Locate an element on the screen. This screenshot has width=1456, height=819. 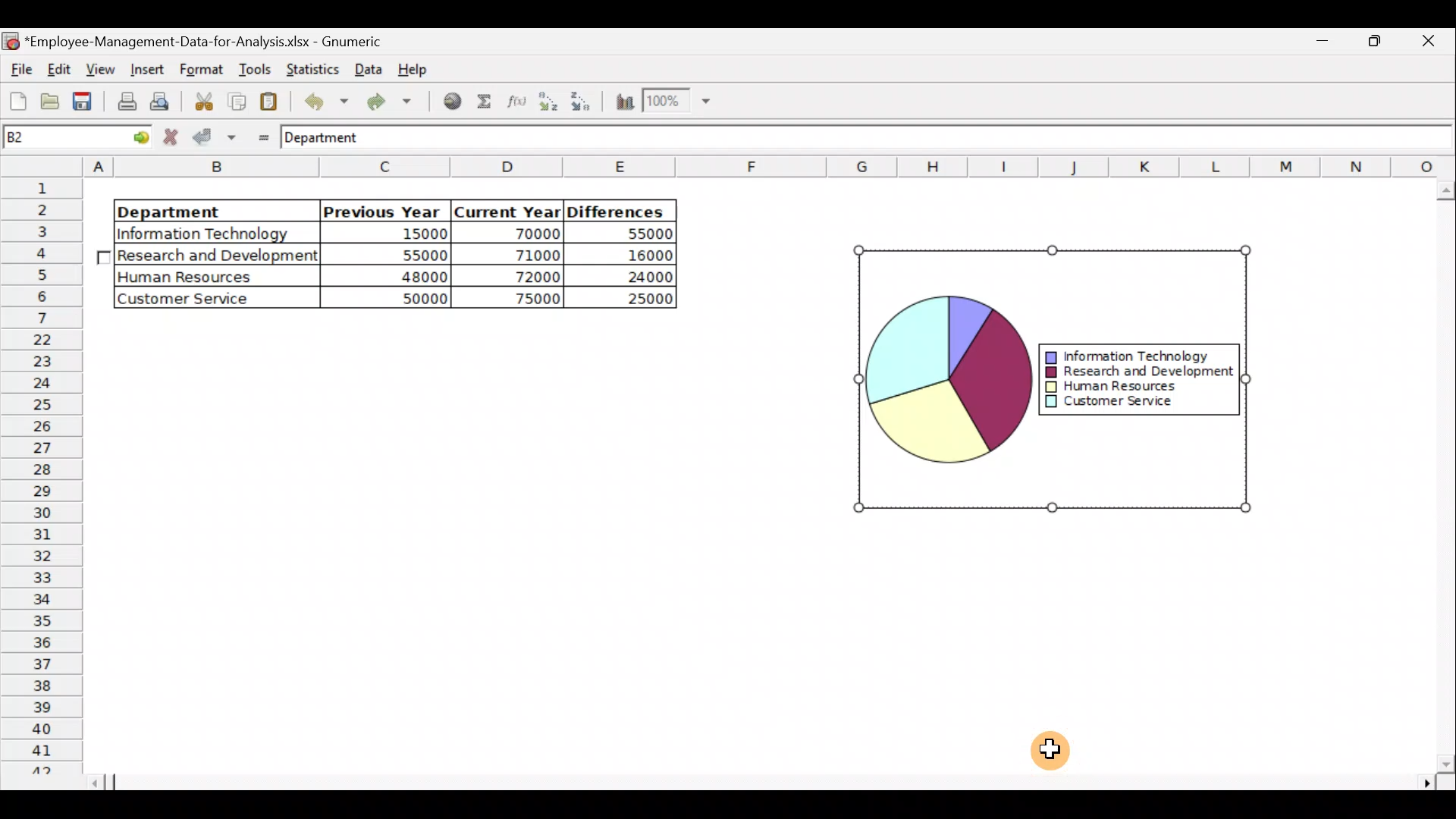
Scroll bar is located at coordinates (773, 783).